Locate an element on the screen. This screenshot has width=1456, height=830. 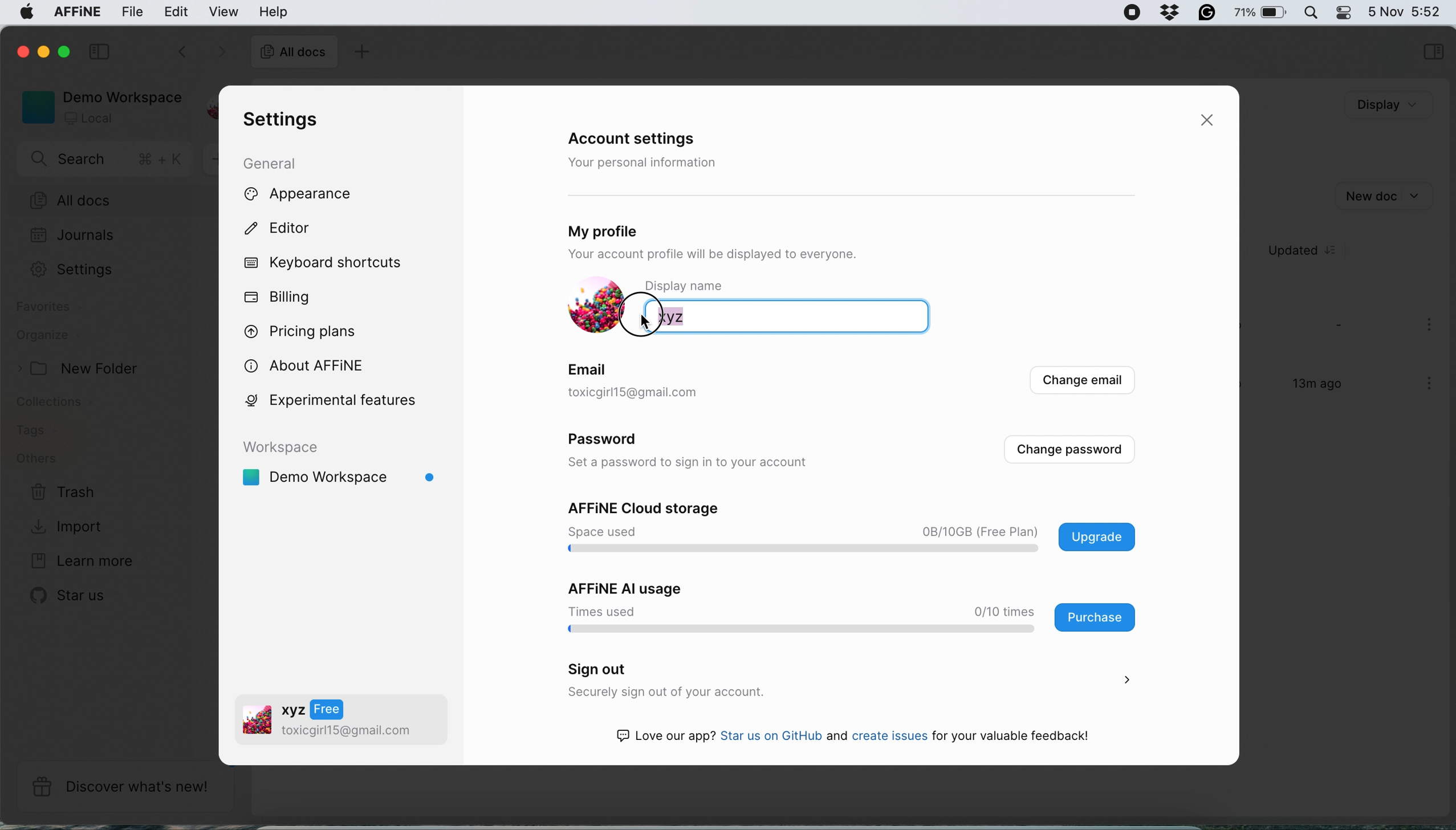
email is located at coordinates (590, 368).